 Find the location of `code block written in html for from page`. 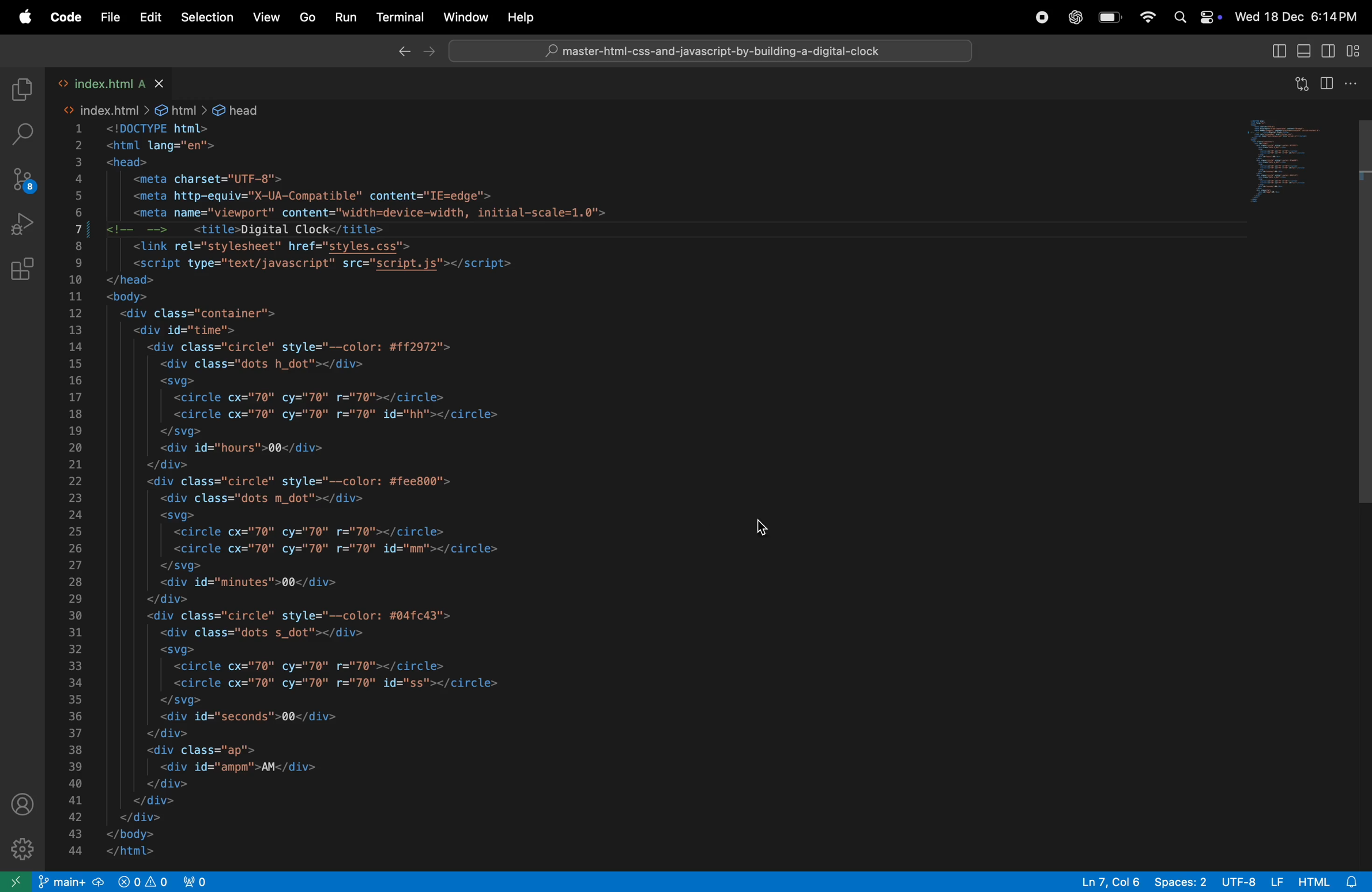

code block written in html for from page is located at coordinates (480, 550).